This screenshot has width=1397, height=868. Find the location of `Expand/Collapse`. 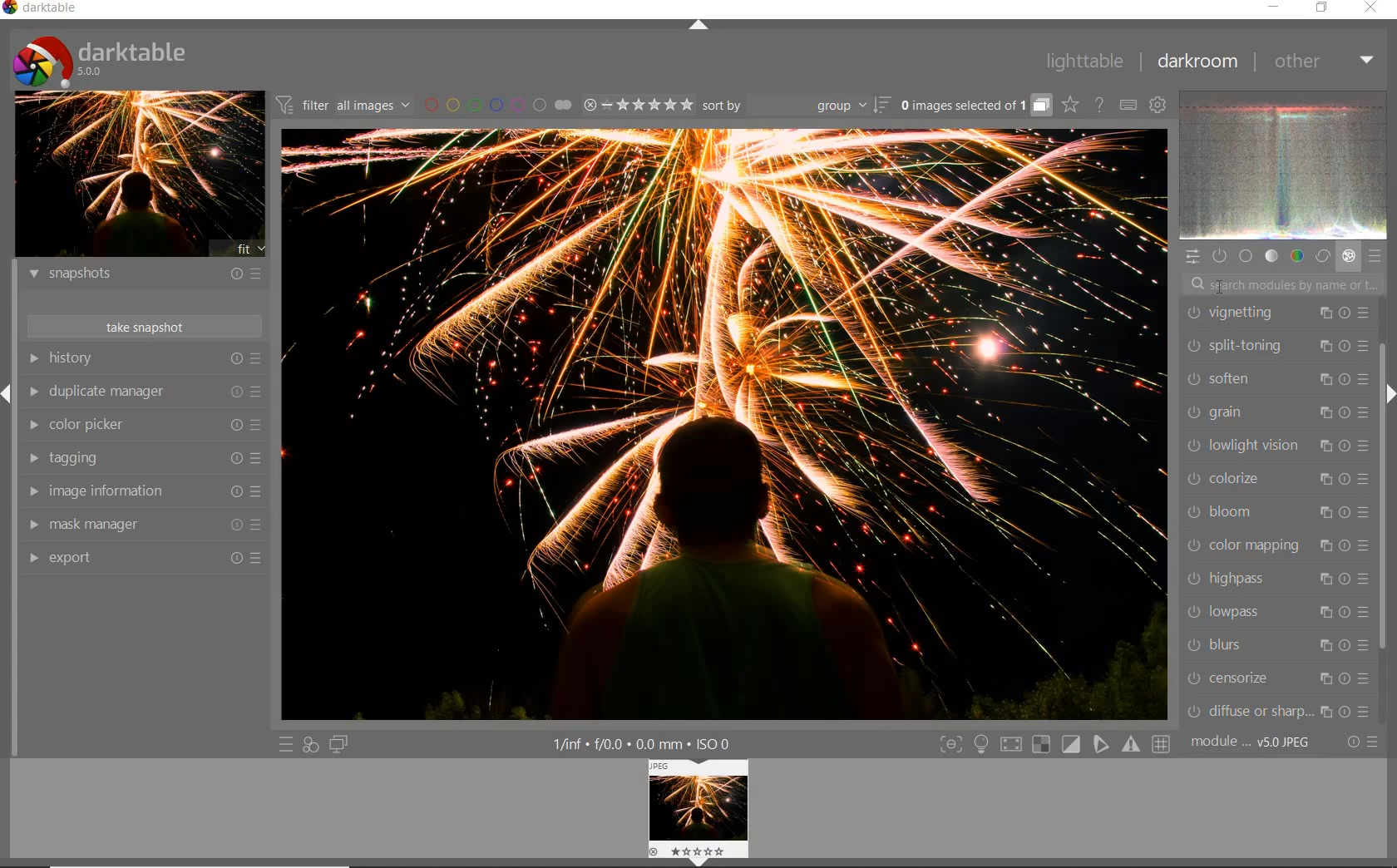

Expand/Collapse is located at coordinates (8, 394).